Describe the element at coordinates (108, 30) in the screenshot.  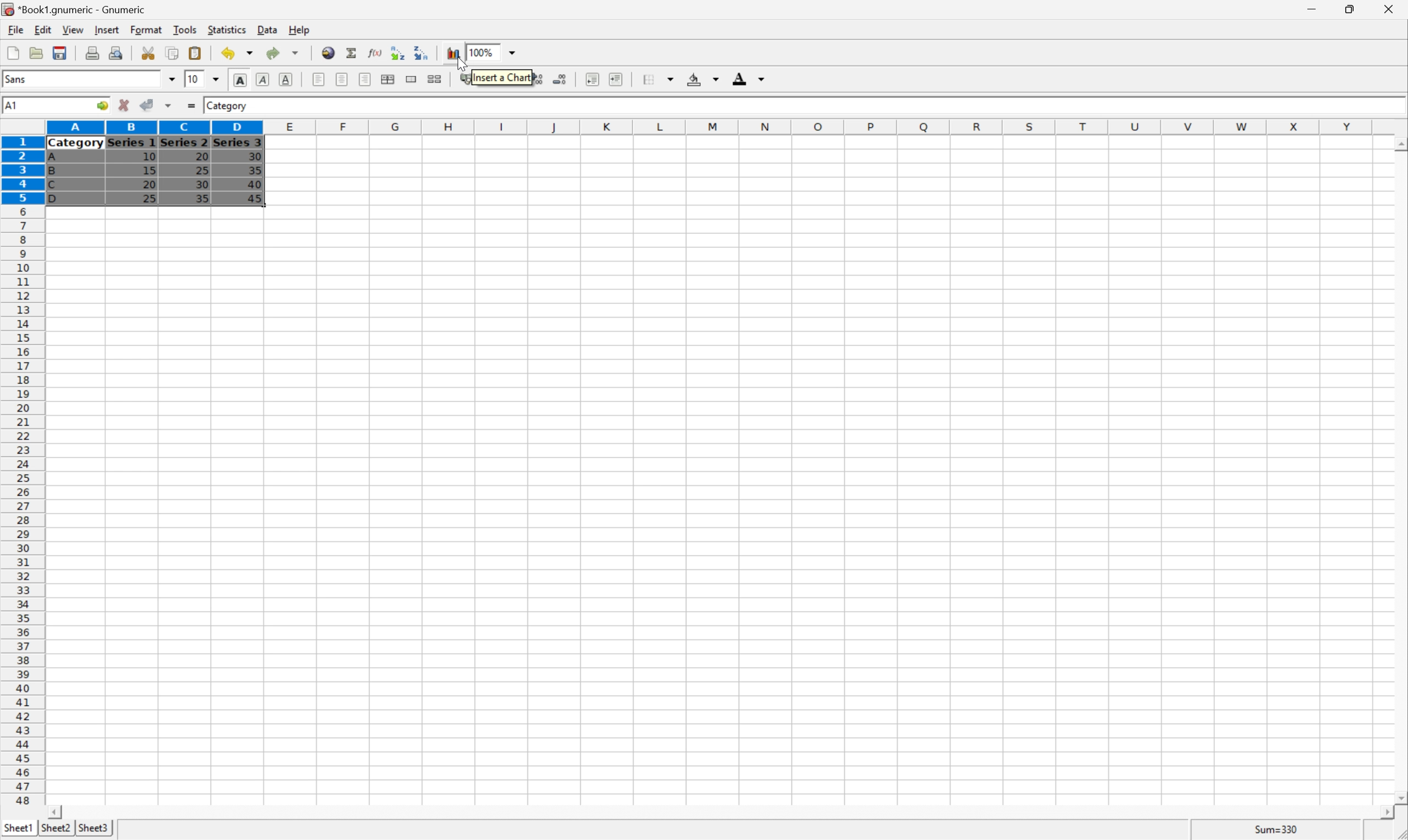
I see `Insert` at that location.